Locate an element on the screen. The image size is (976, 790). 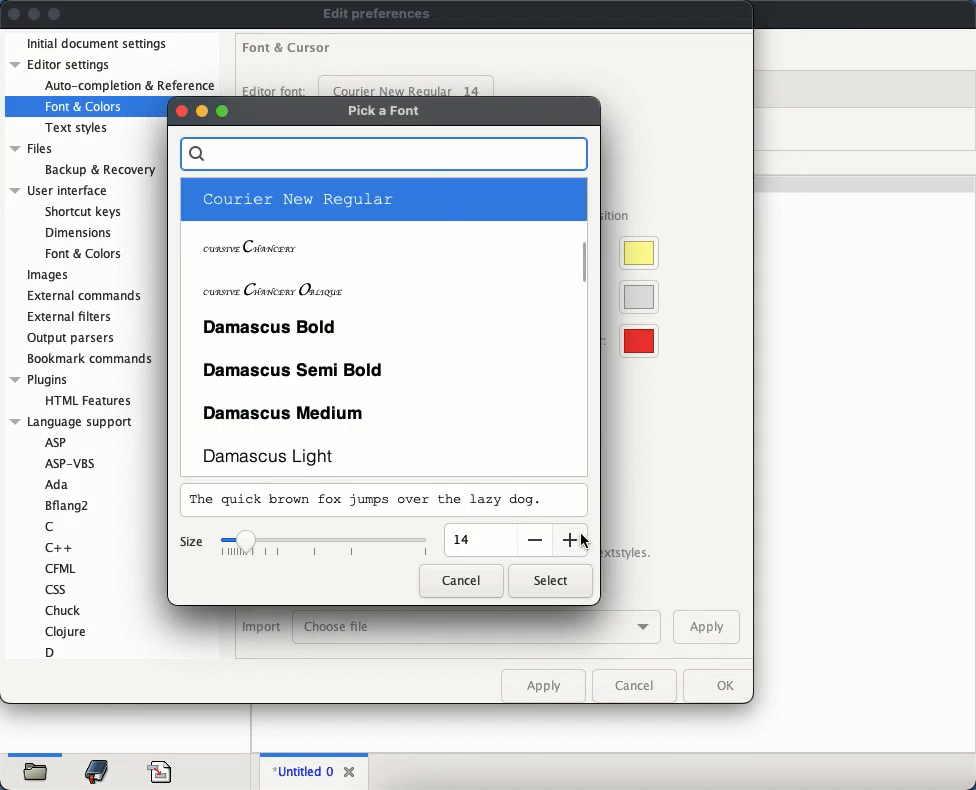
font & colors is located at coordinates (82, 253).